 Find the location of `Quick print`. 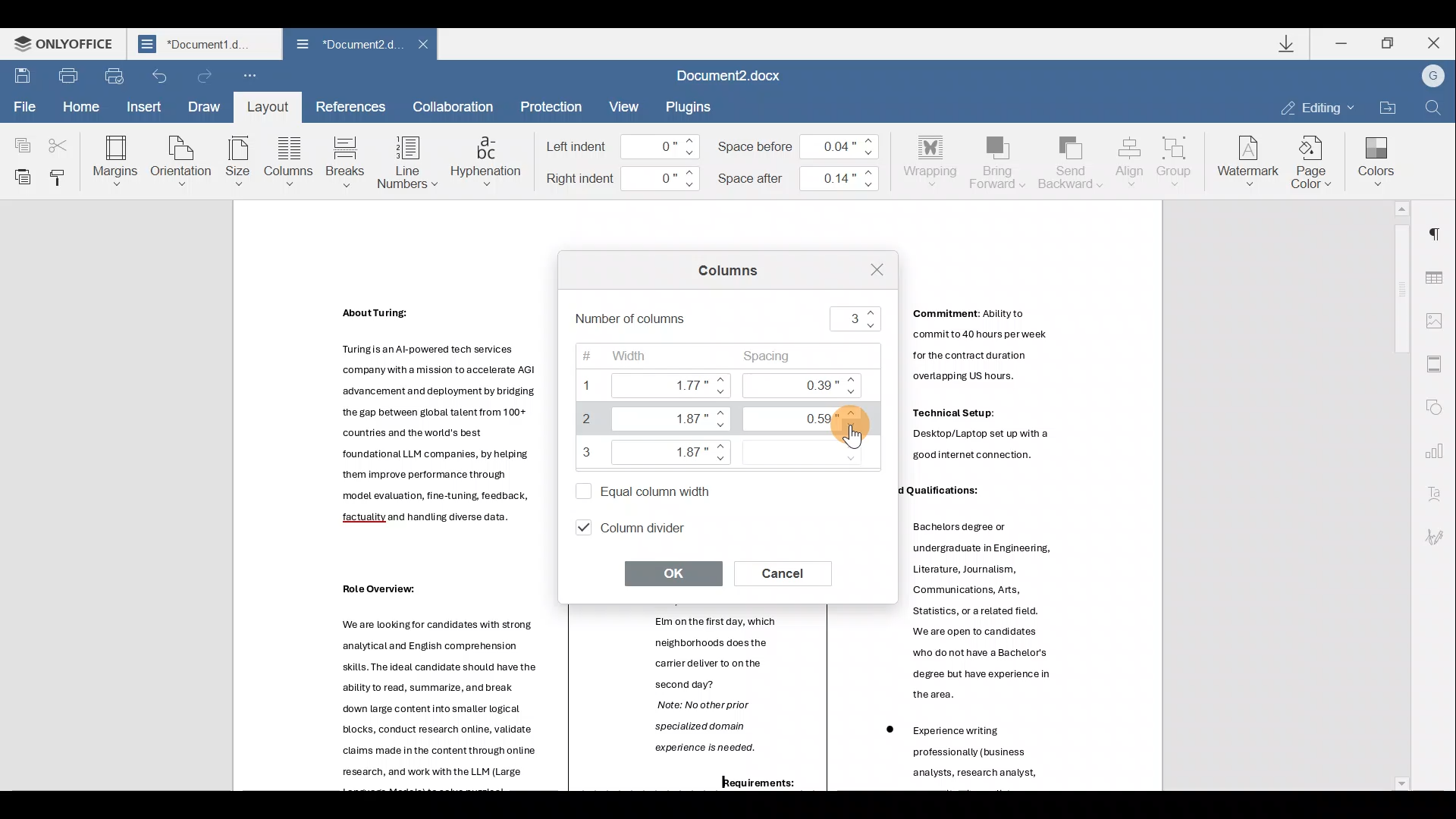

Quick print is located at coordinates (115, 74).